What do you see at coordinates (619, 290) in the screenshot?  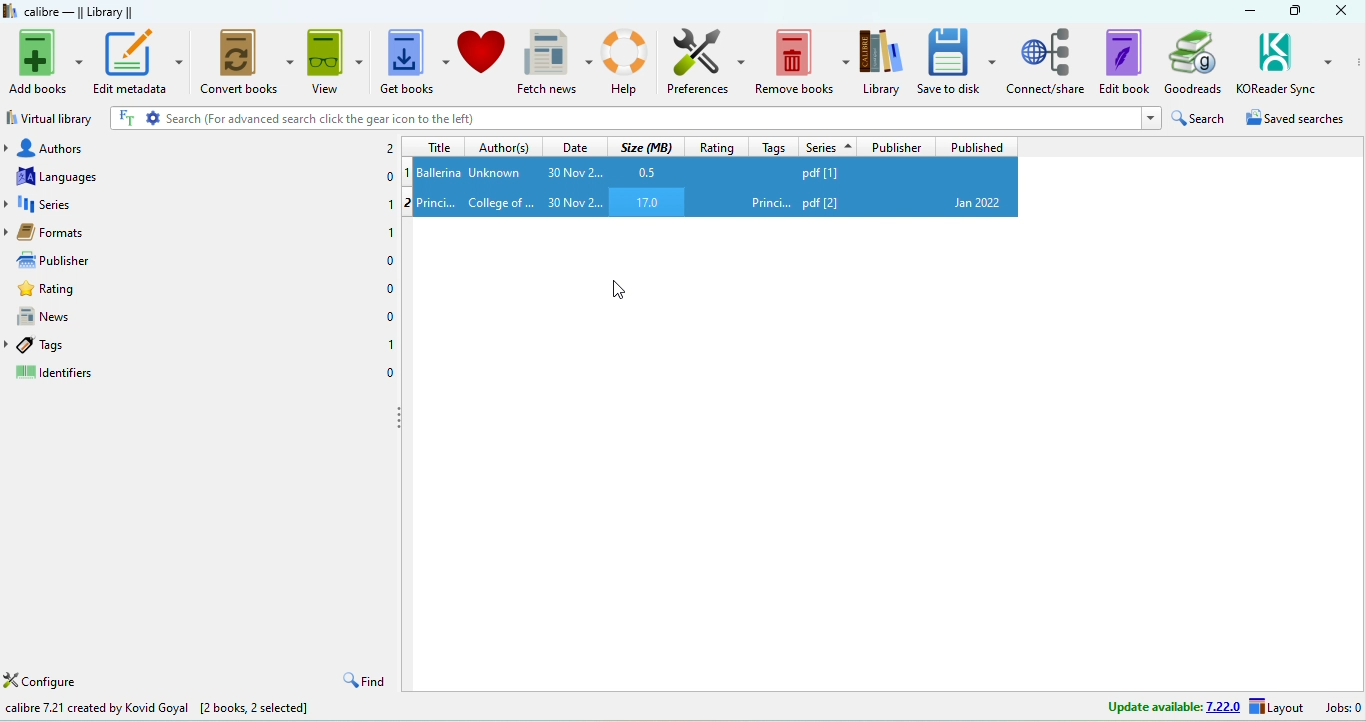 I see `cursor` at bounding box center [619, 290].